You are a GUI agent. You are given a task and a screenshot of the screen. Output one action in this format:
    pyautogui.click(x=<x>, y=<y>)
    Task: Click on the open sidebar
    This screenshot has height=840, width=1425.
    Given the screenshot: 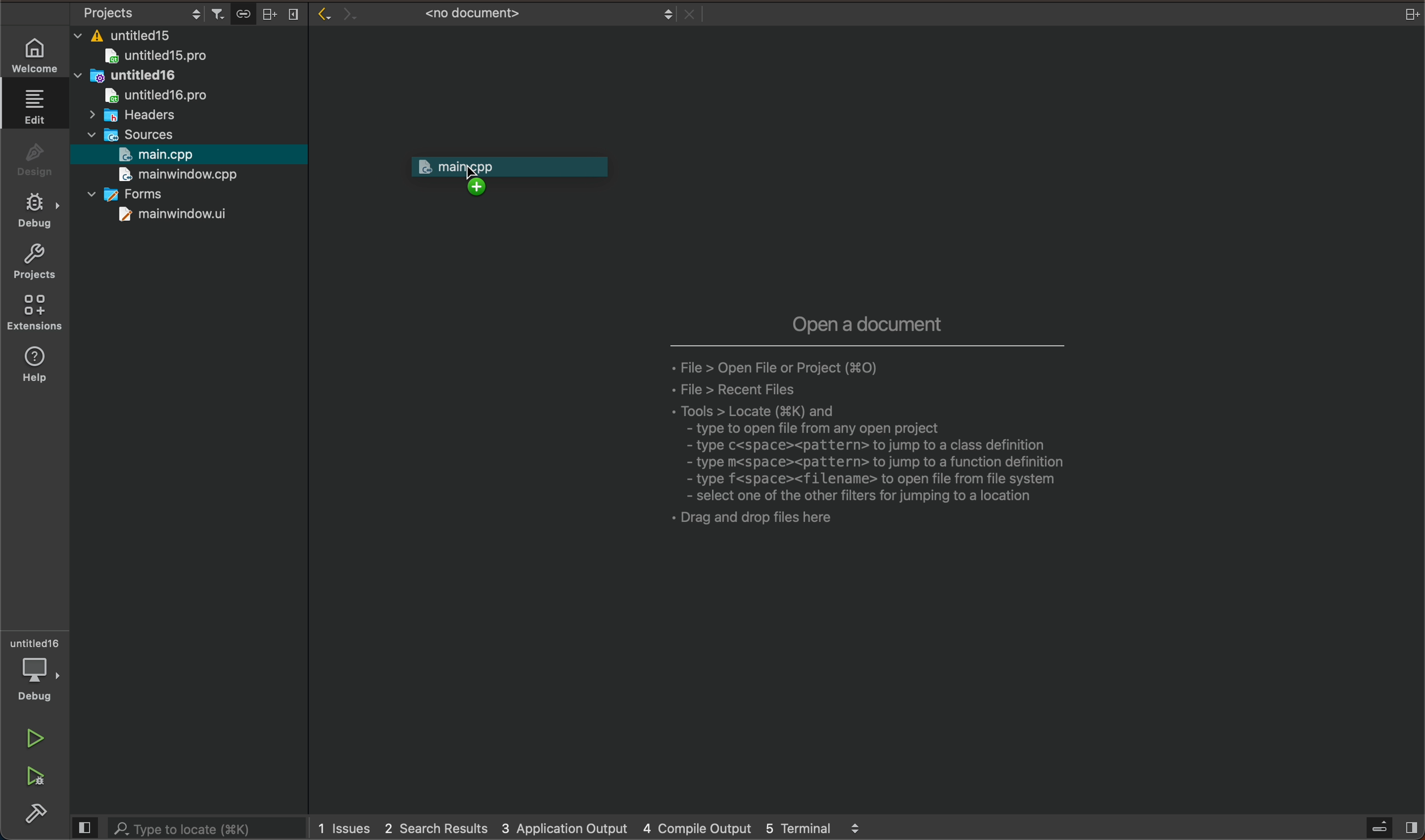 What is the action you would take?
    pyautogui.click(x=1386, y=829)
    